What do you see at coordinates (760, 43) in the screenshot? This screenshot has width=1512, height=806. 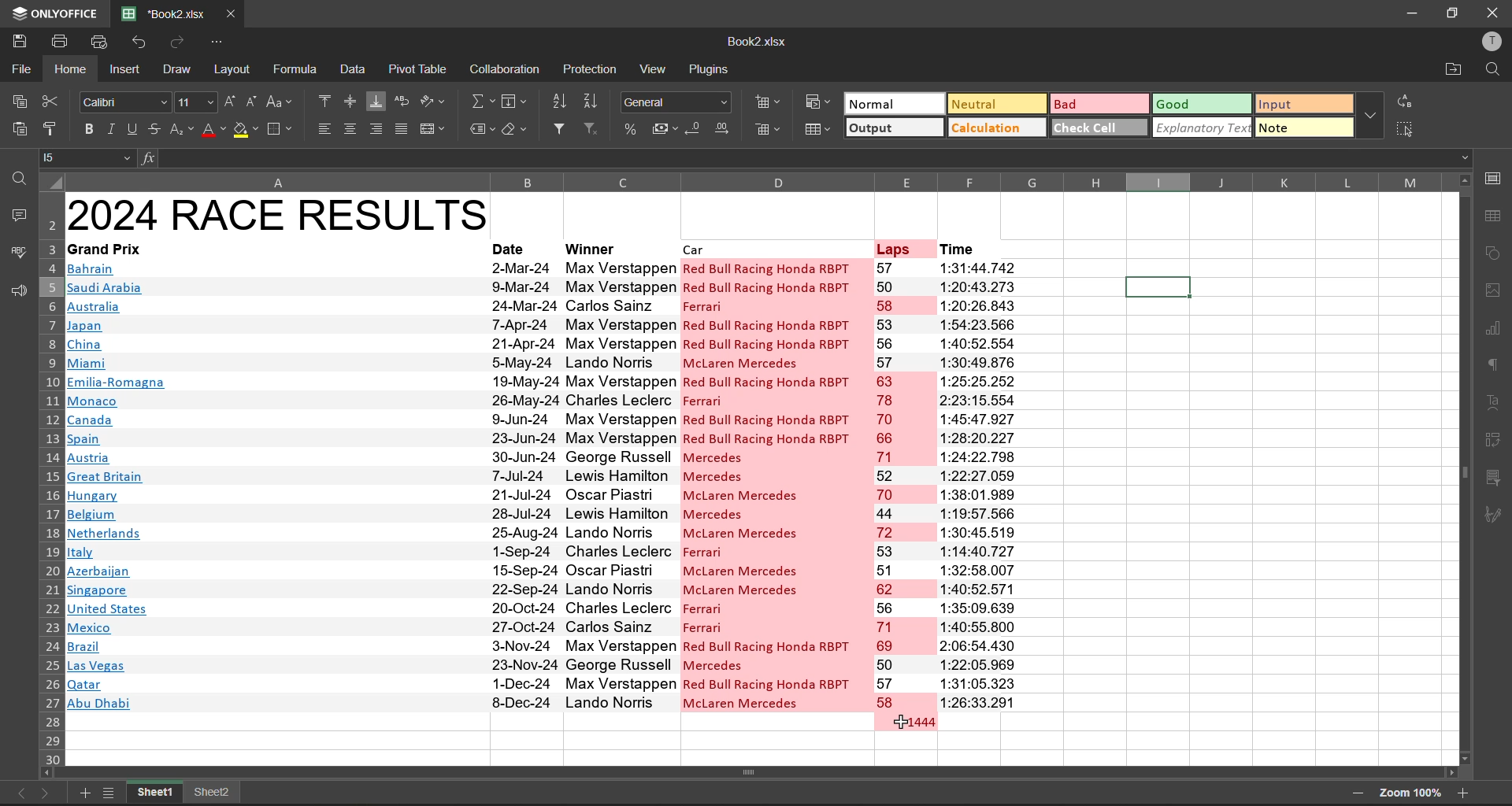 I see `filename` at bounding box center [760, 43].